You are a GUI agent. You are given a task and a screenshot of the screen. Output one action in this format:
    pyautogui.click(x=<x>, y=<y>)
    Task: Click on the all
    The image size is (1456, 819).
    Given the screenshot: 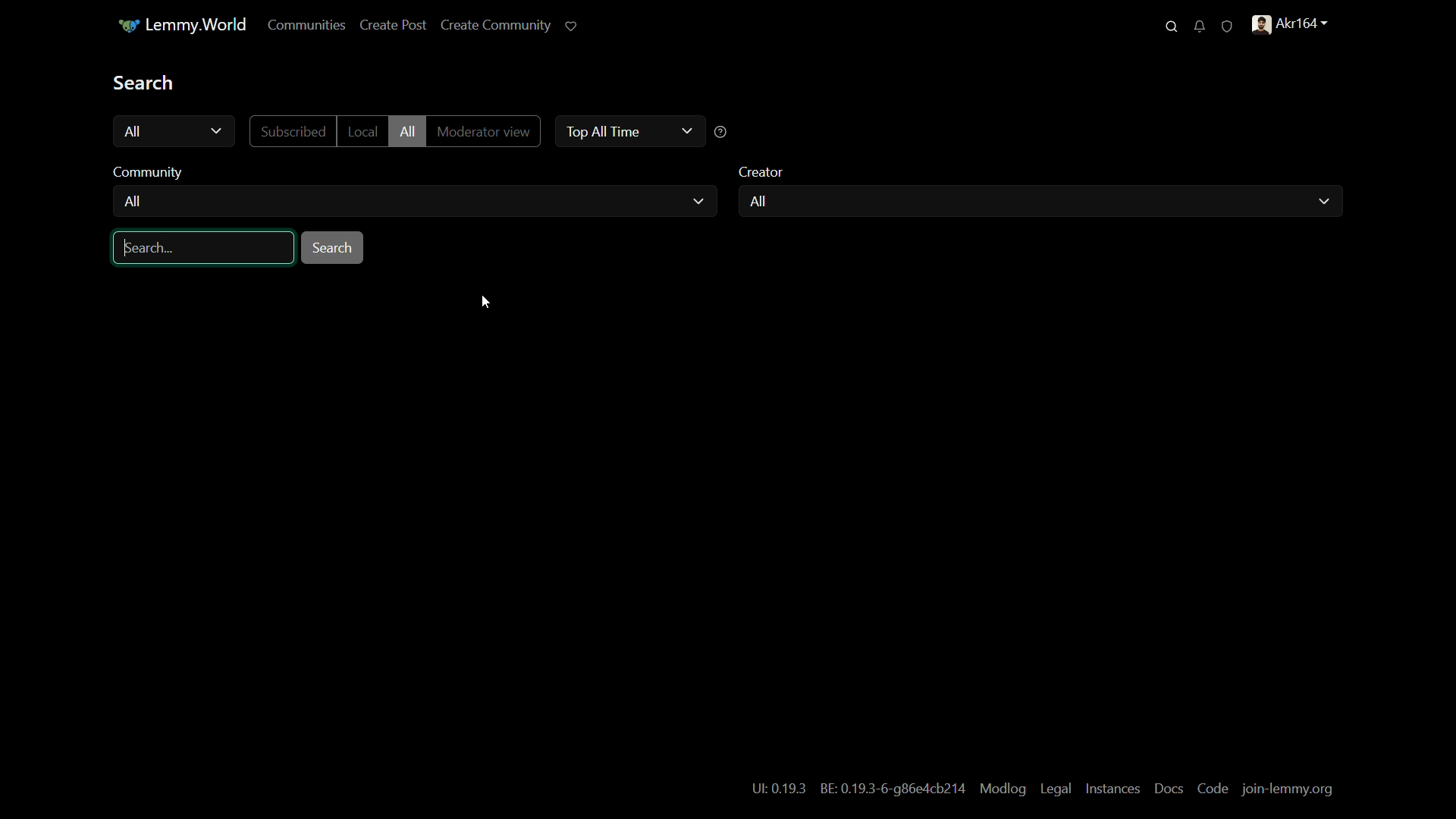 What is the action you would take?
    pyautogui.click(x=135, y=131)
    